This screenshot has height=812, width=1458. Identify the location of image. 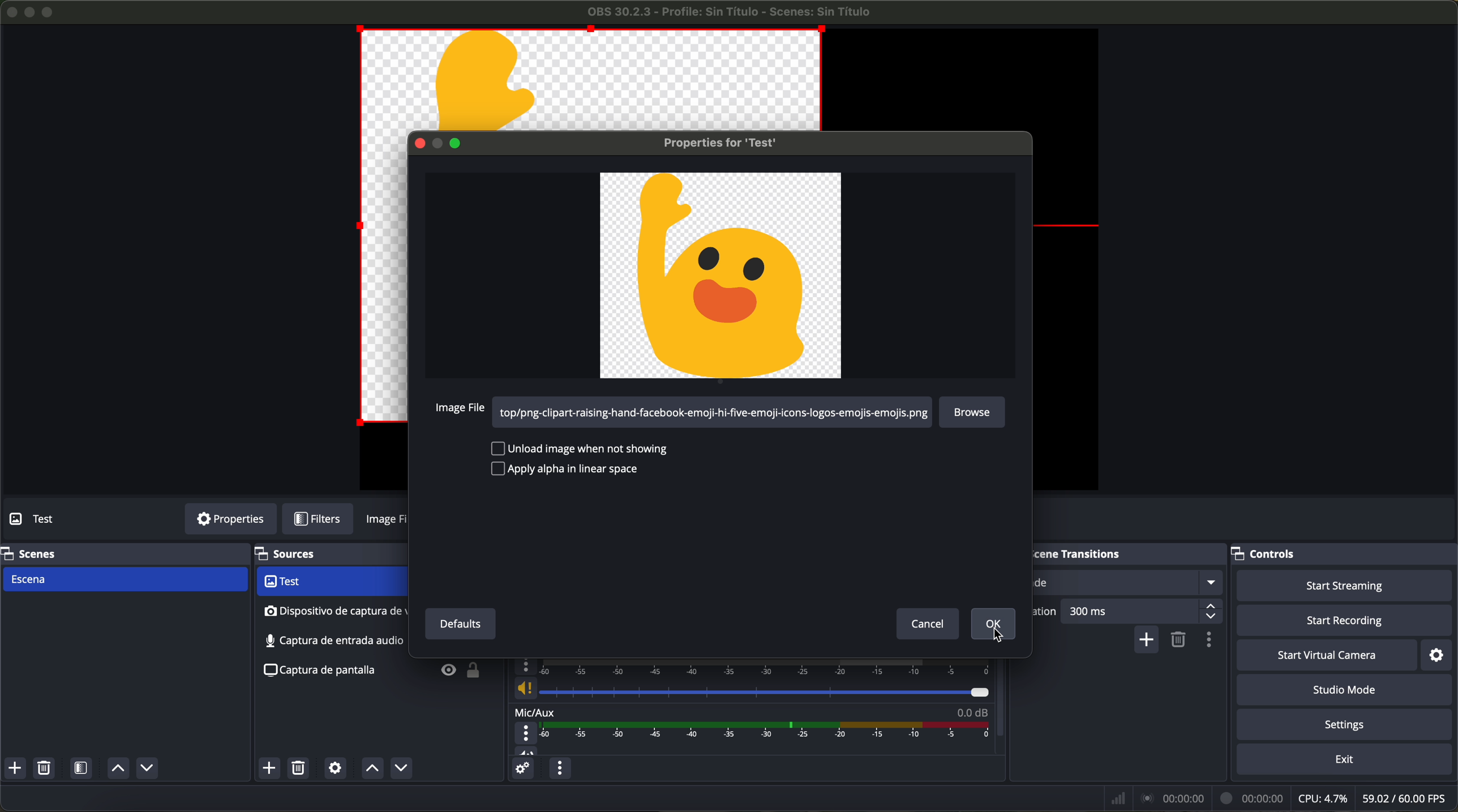
(593, 79).